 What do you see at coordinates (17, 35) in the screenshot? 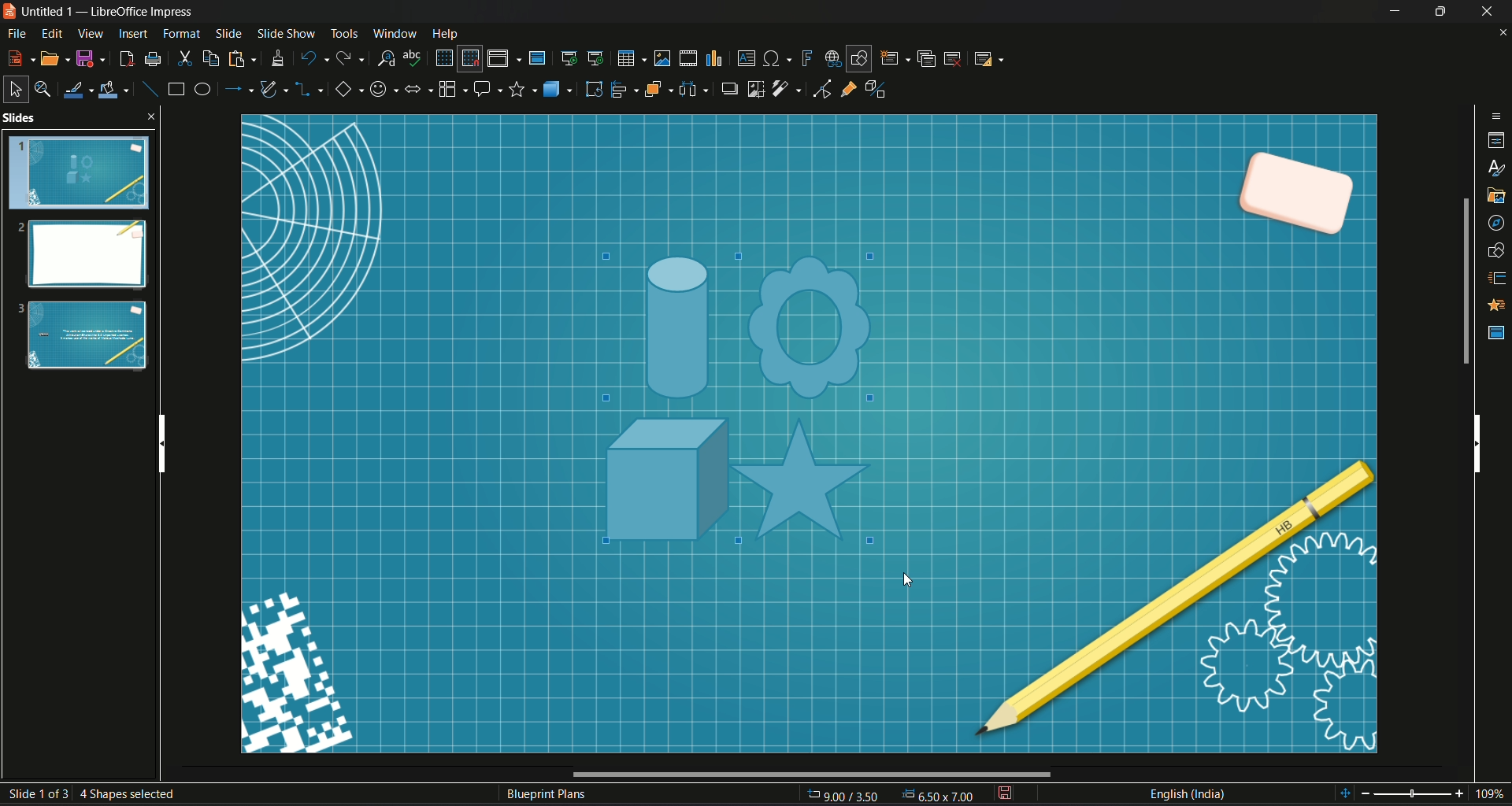
I see `File` at bounding box center [17, 35].